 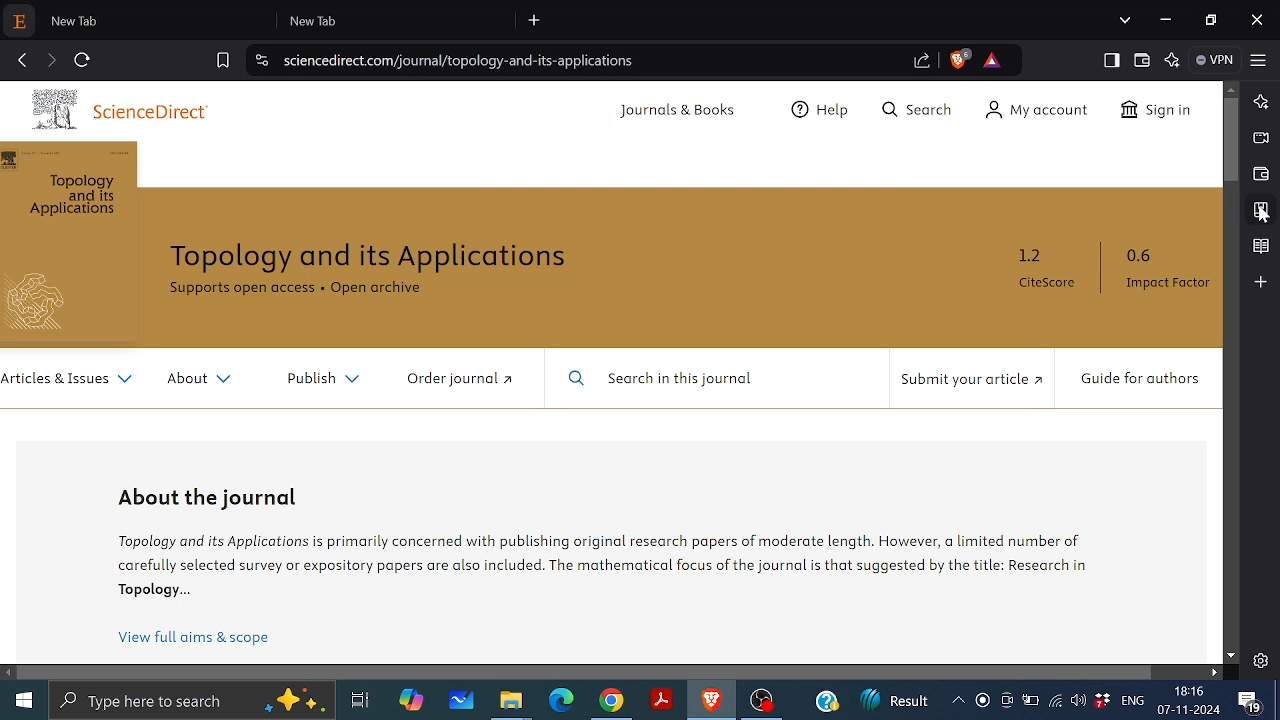 I want to click on Information on topology, so click(x=607, y=563).